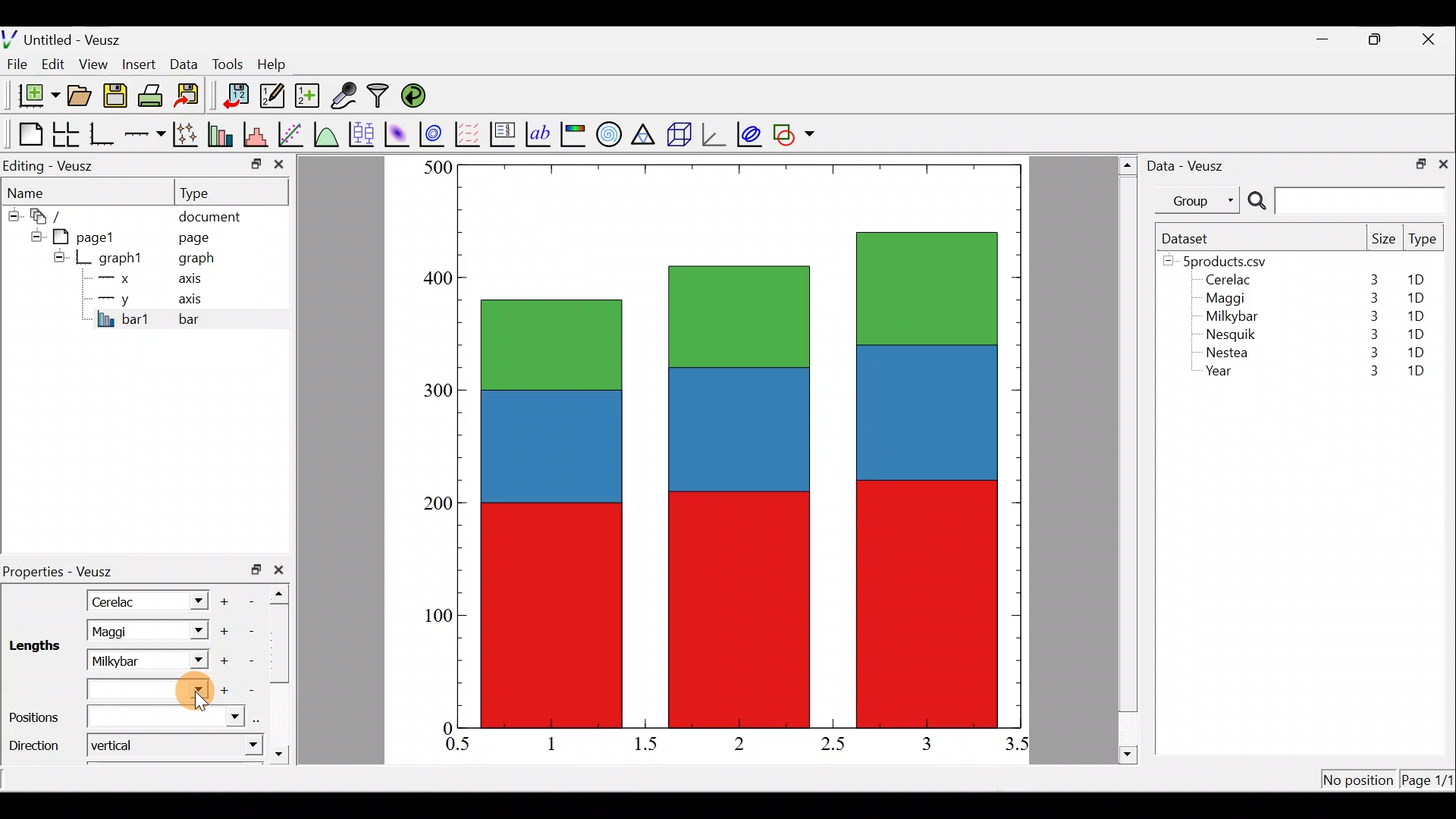 The height and width of the screenshot is (819, 1456). Describe the element at coordinates (363, 133) in the screenshot. I see `Plot box plots` at that location.